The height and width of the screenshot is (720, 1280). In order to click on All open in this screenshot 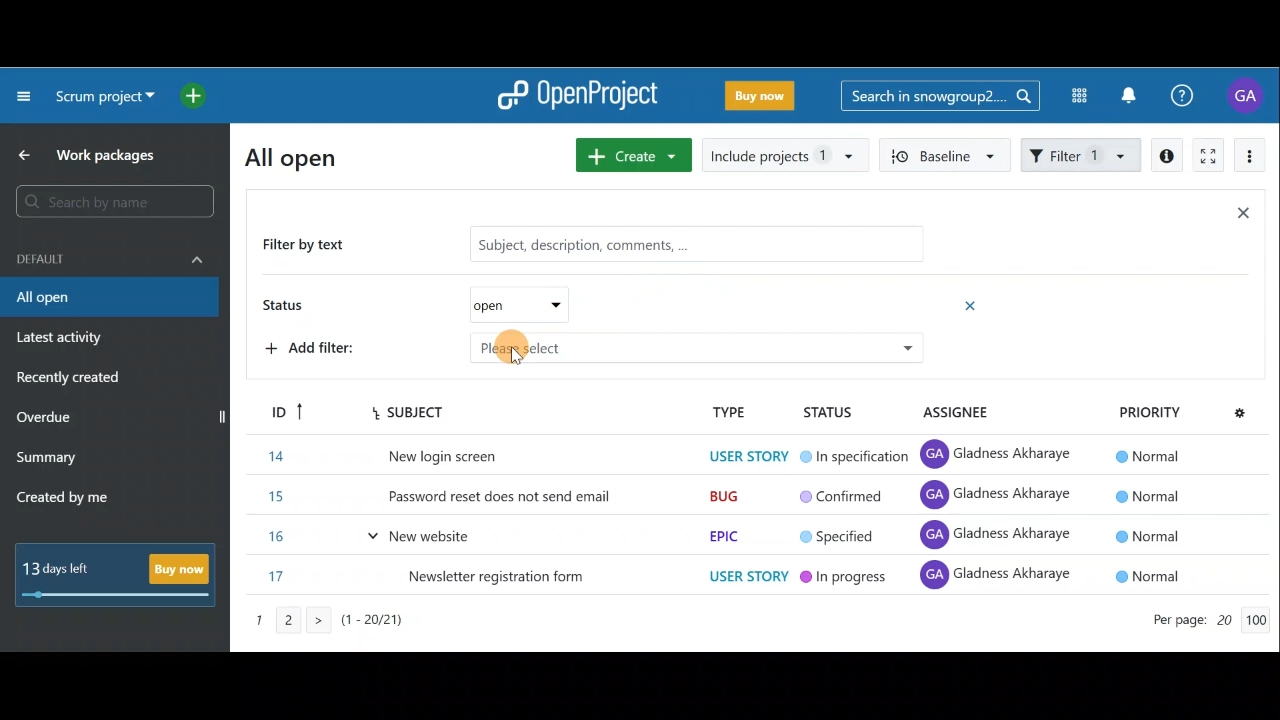, I will do `click(108, 298)`.